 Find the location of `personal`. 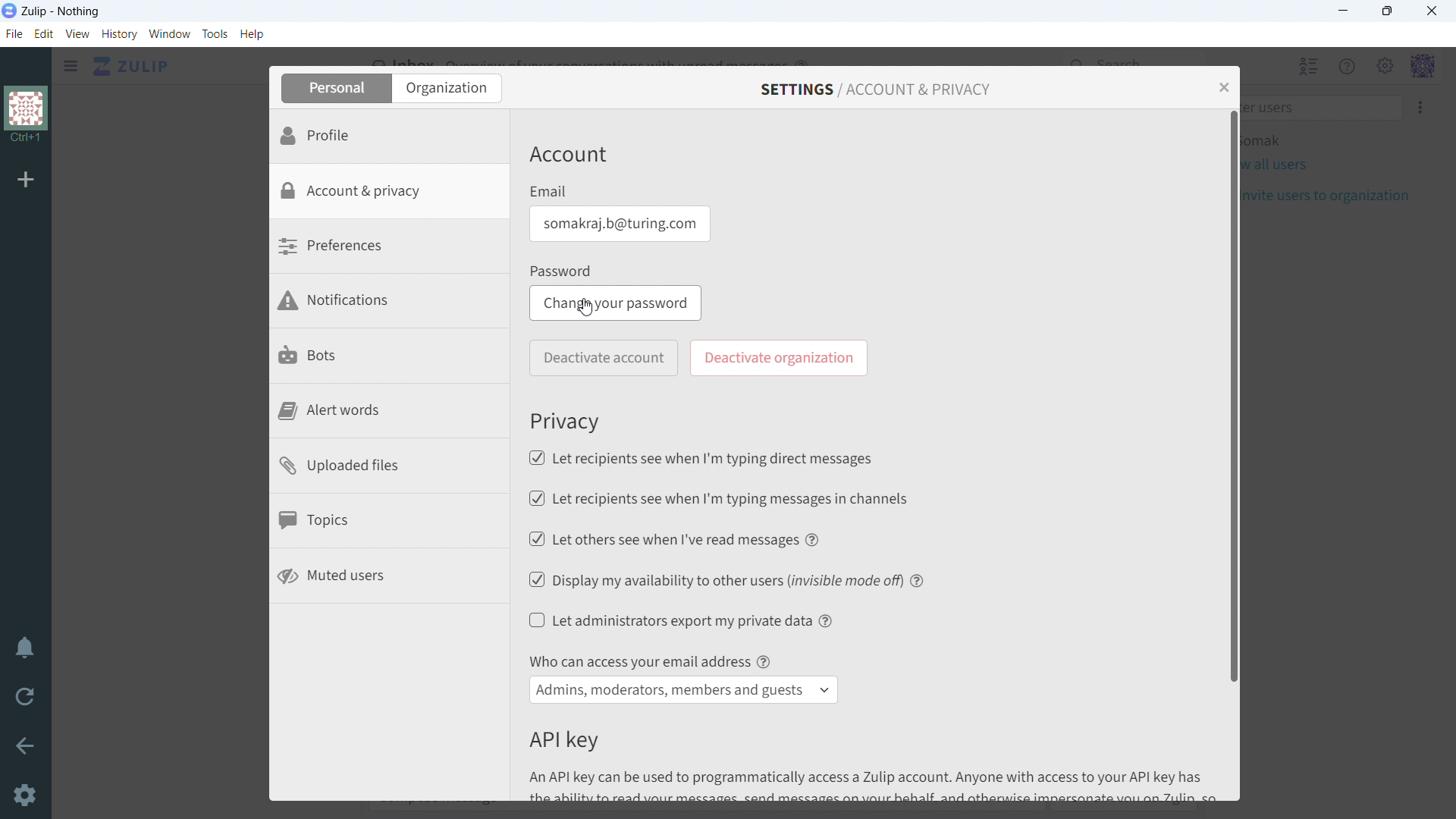

personal is located at coordinates (334, 88).